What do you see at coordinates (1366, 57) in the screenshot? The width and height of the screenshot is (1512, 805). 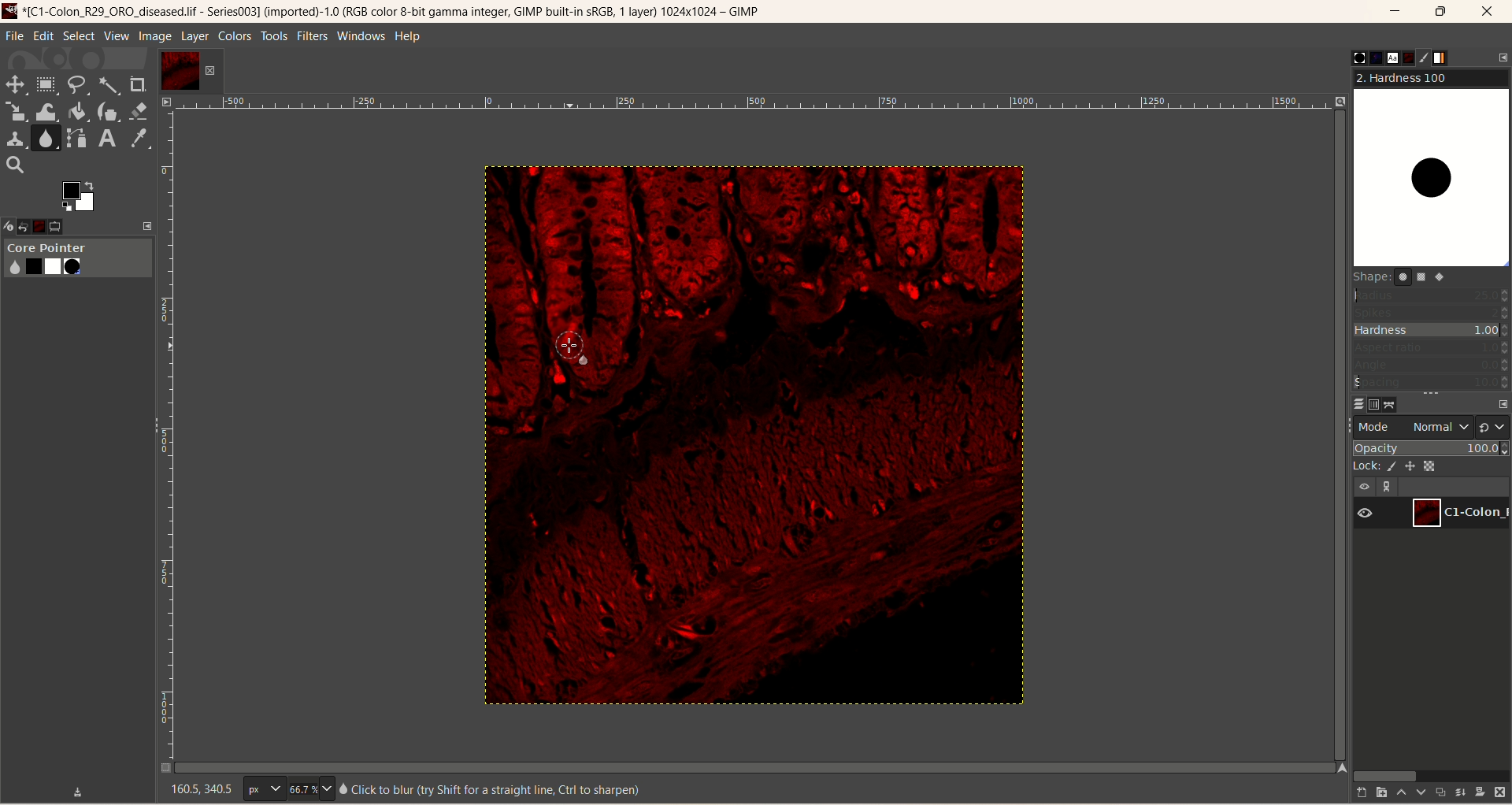 I see `pattern` at bounding box center [1366, 57].